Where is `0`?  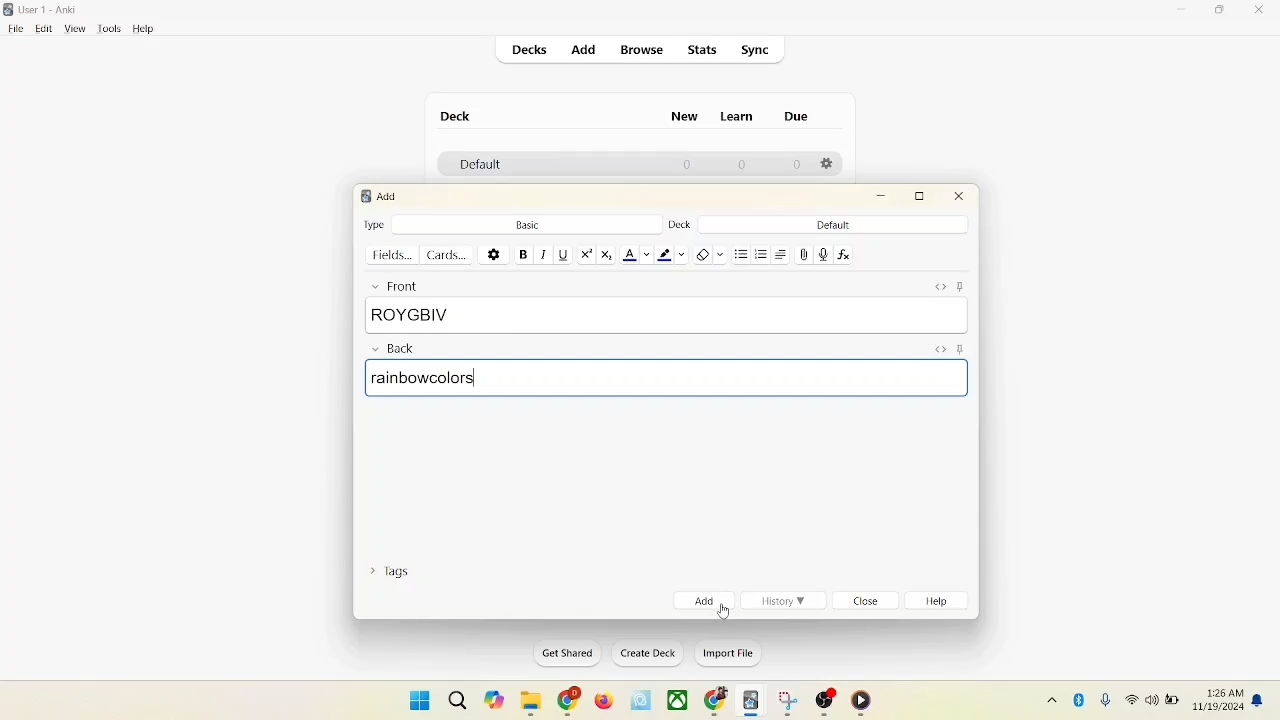
0 is located at coordinates (798, 165).